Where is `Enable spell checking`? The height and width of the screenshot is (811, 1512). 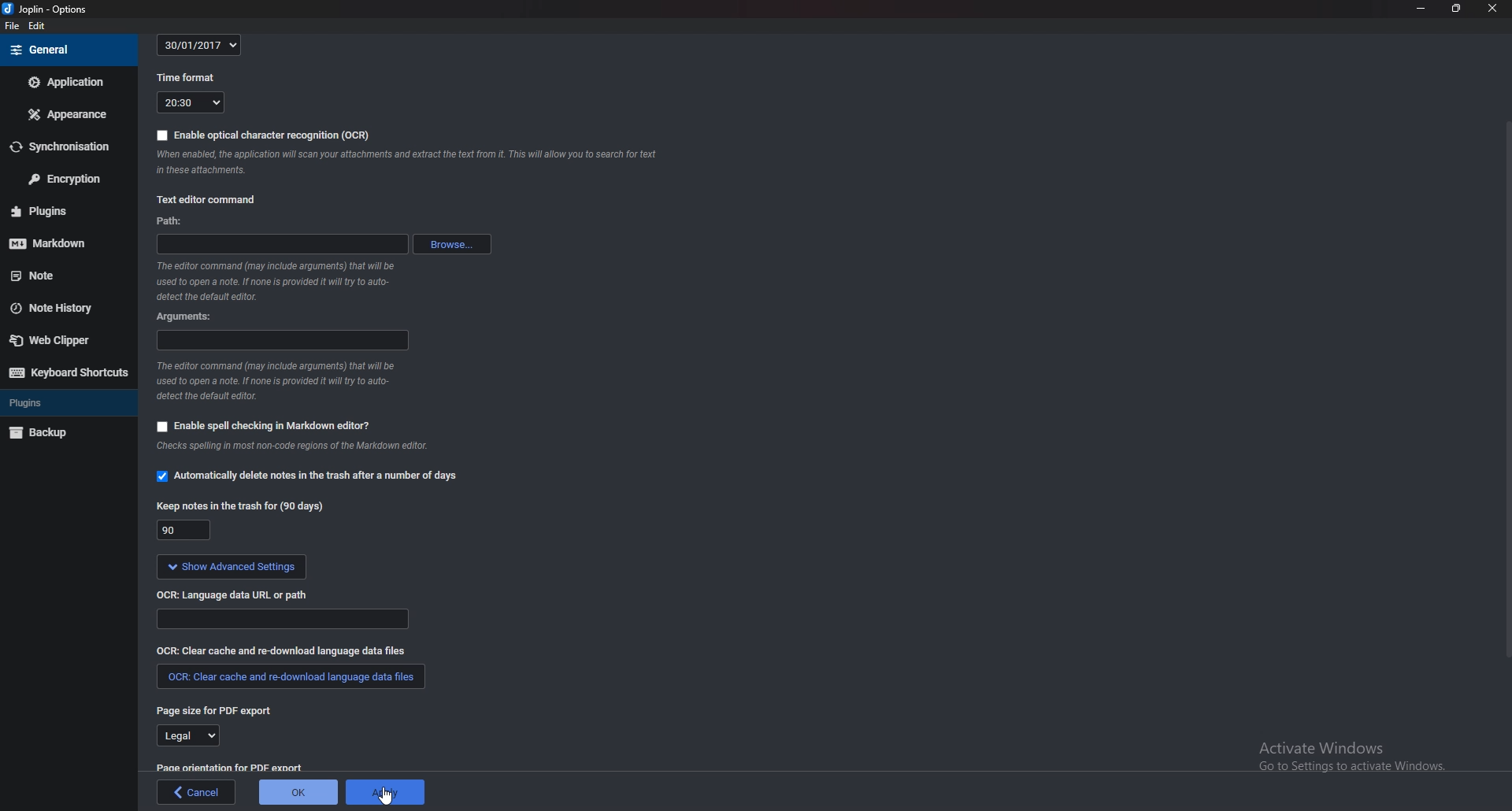
Enable spell checking is located at coordinates (265, 426).